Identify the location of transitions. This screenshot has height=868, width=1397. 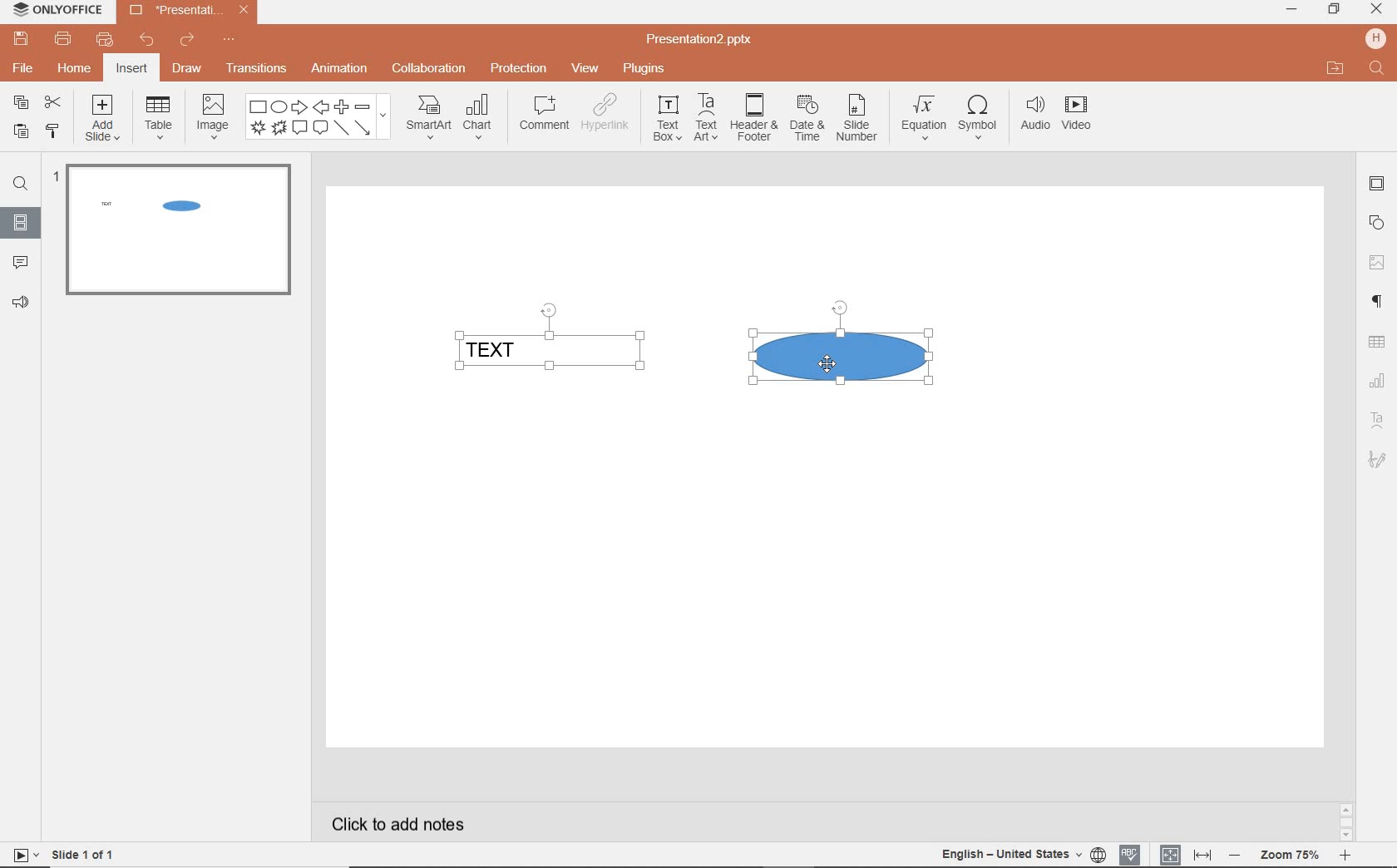
(257, 67).